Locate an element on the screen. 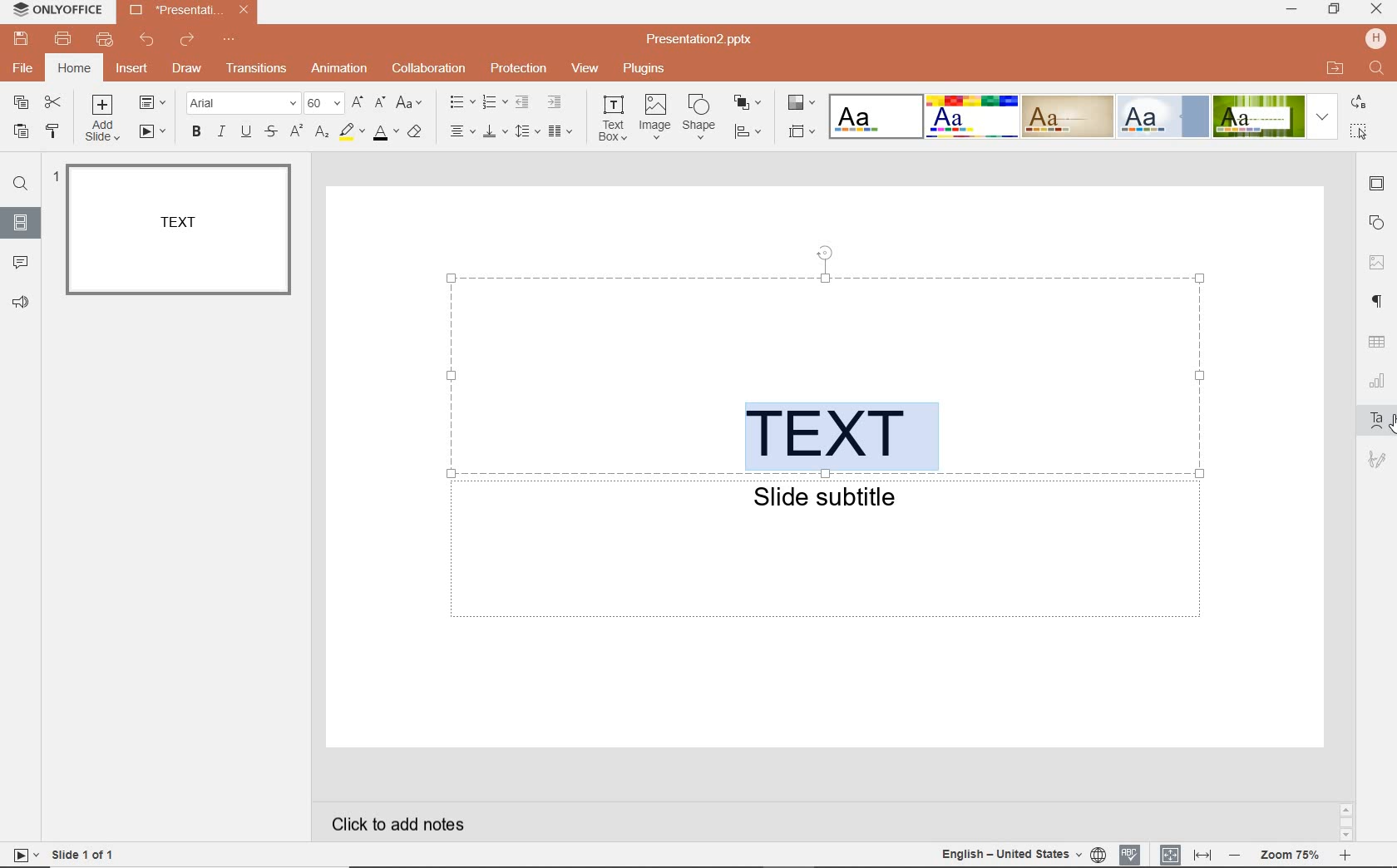  PROTECTION is located at coordinates (517, 68).